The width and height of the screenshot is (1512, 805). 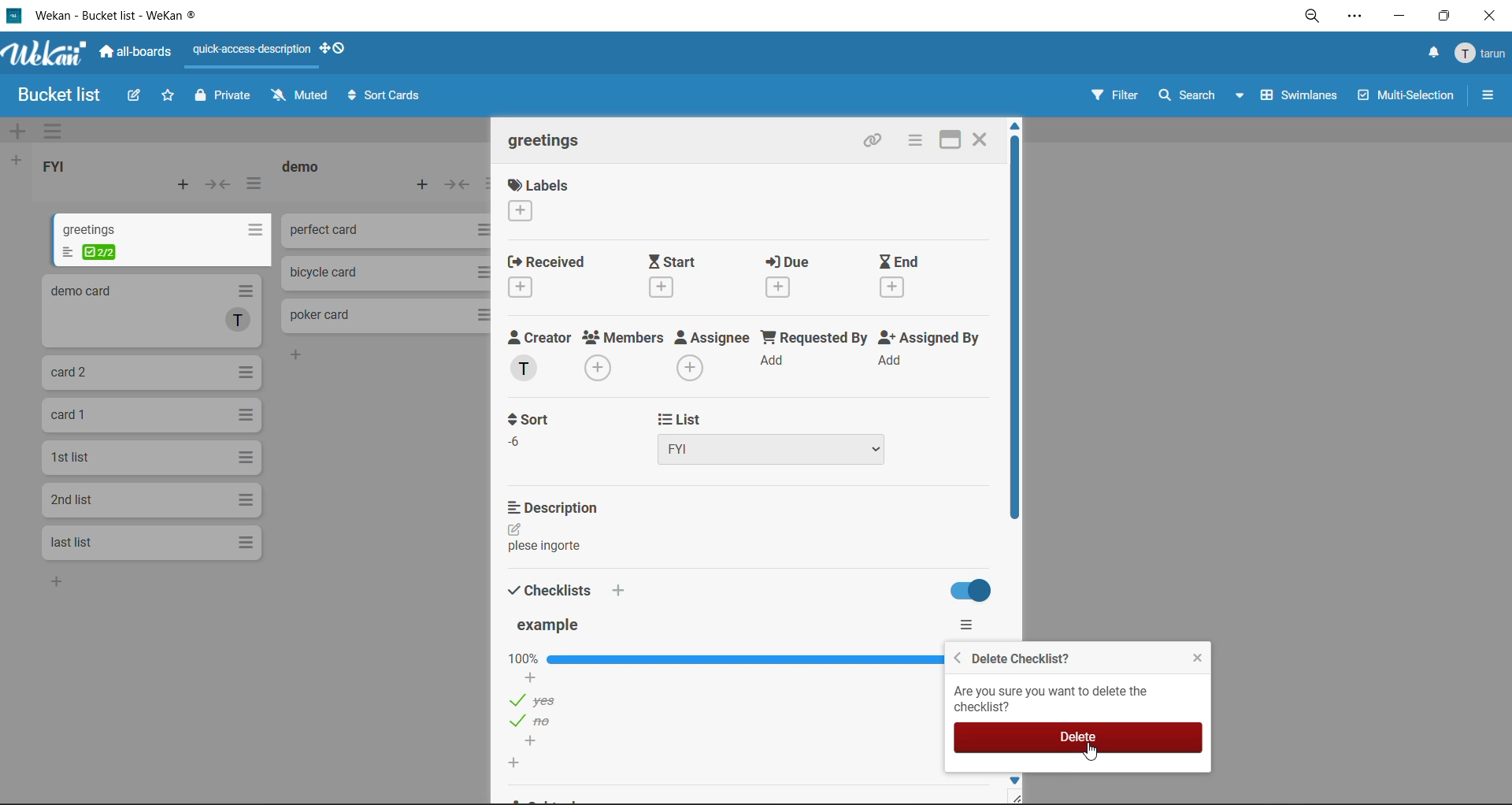 I want to click on swimlanes, so click(x=1304, y=99).